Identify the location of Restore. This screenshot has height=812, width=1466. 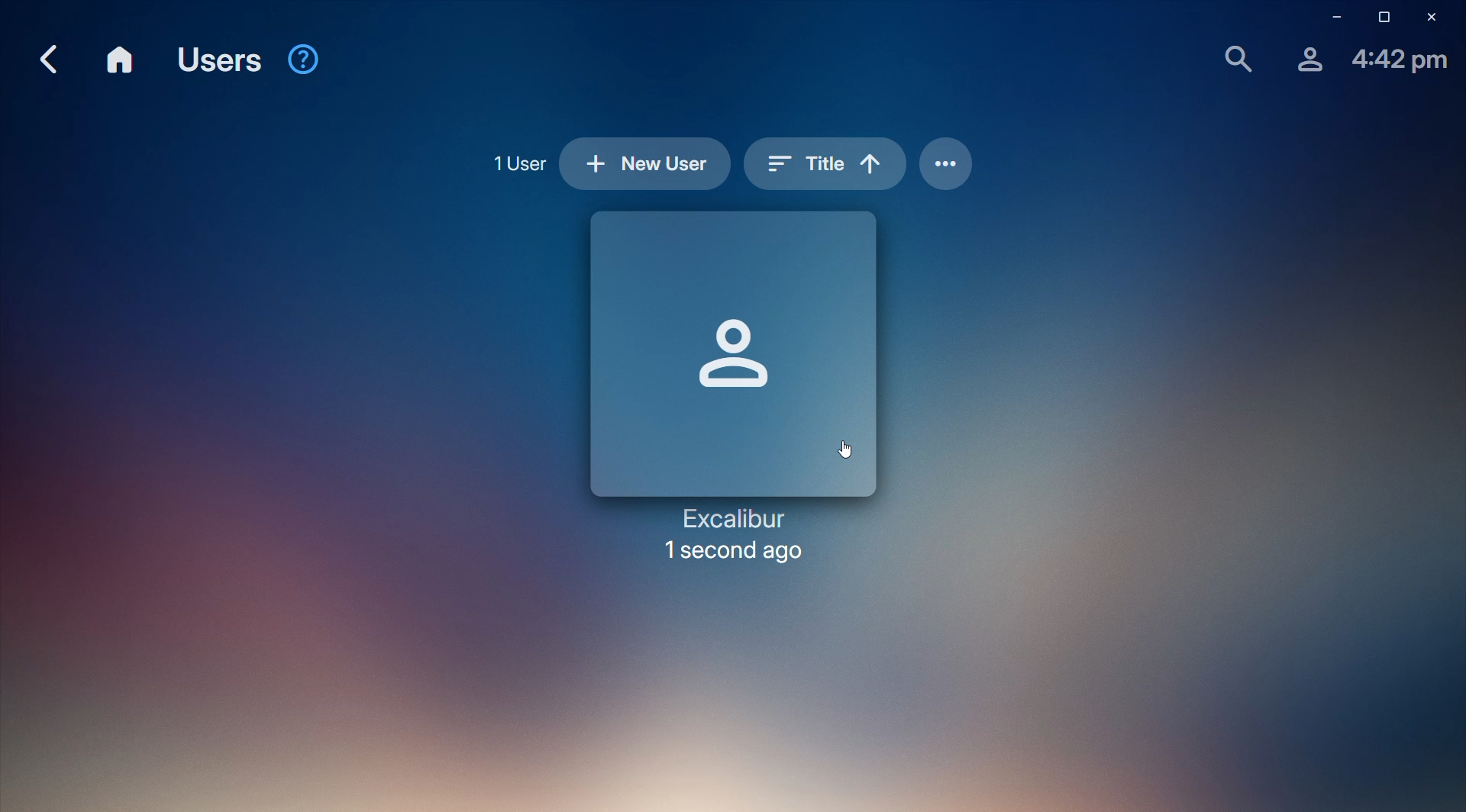
(1379, 18).